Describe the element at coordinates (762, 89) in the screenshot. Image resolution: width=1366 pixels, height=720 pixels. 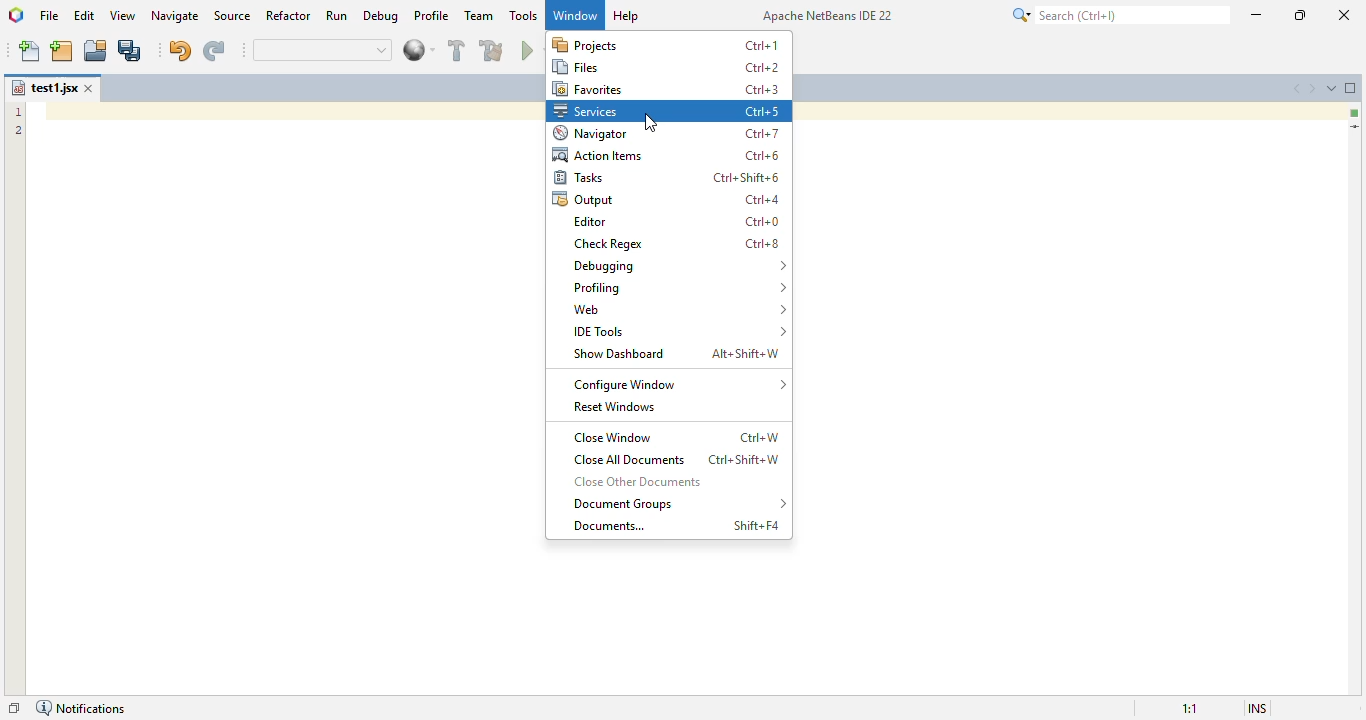
I see `shortcut for favorites` at that location.